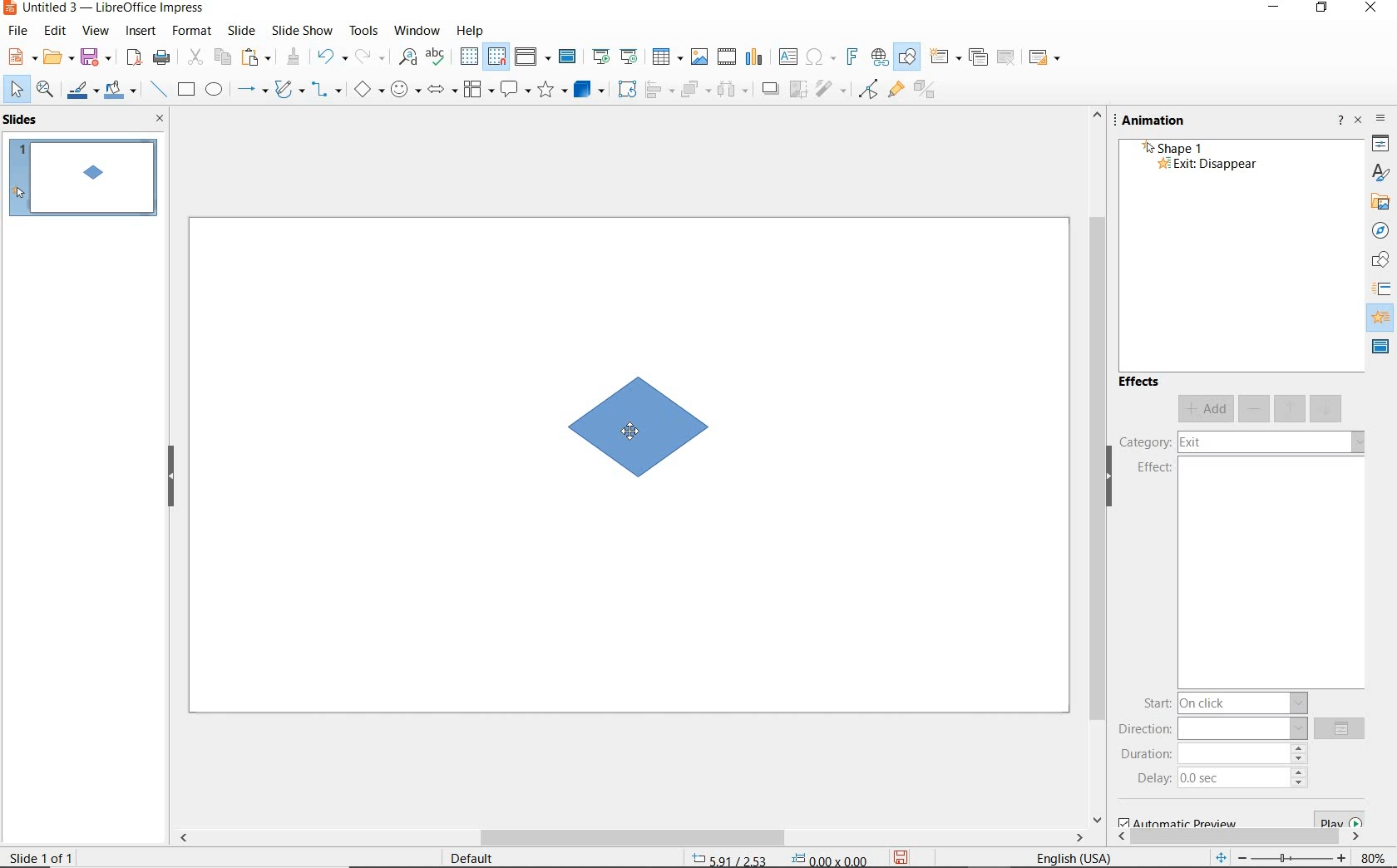 The image size is (1397, 868). Describe the element at coordinates (161, 121) in the screenshot. I see `close` at that location.